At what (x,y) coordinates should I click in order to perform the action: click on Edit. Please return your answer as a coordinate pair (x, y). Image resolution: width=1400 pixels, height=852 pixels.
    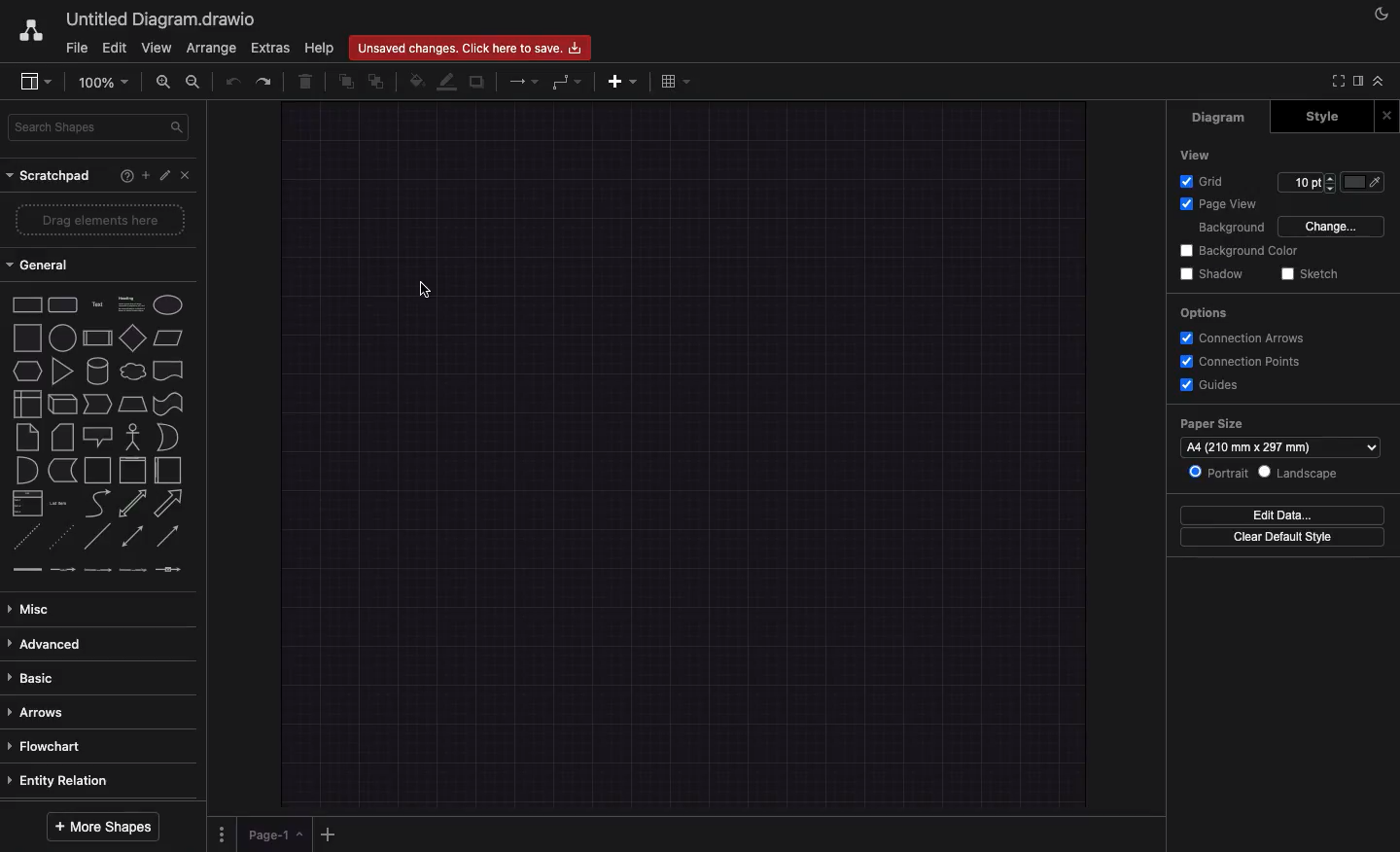
    Looking at the image, I should click on (117, 47).